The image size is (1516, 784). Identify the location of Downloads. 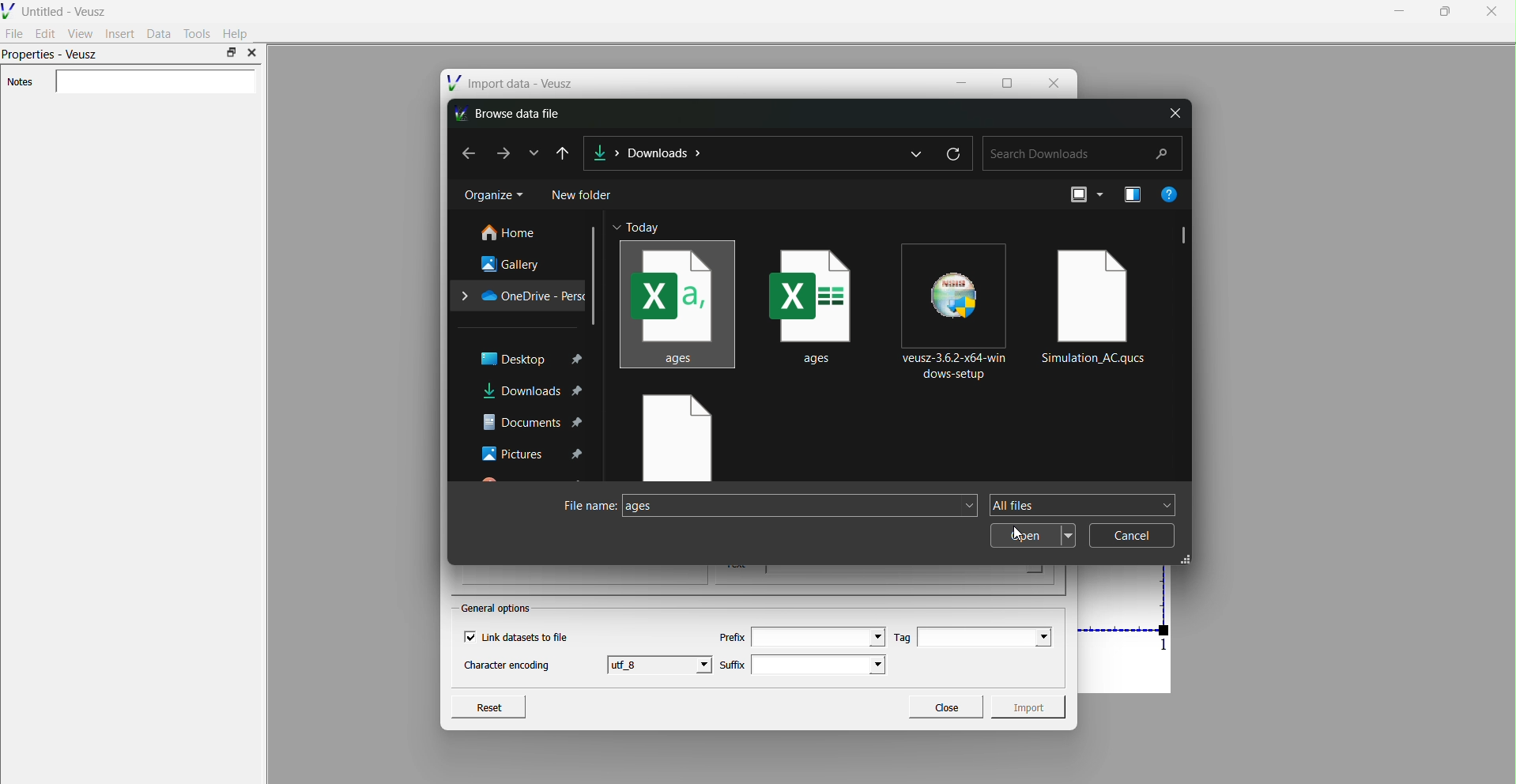
(607, 151).